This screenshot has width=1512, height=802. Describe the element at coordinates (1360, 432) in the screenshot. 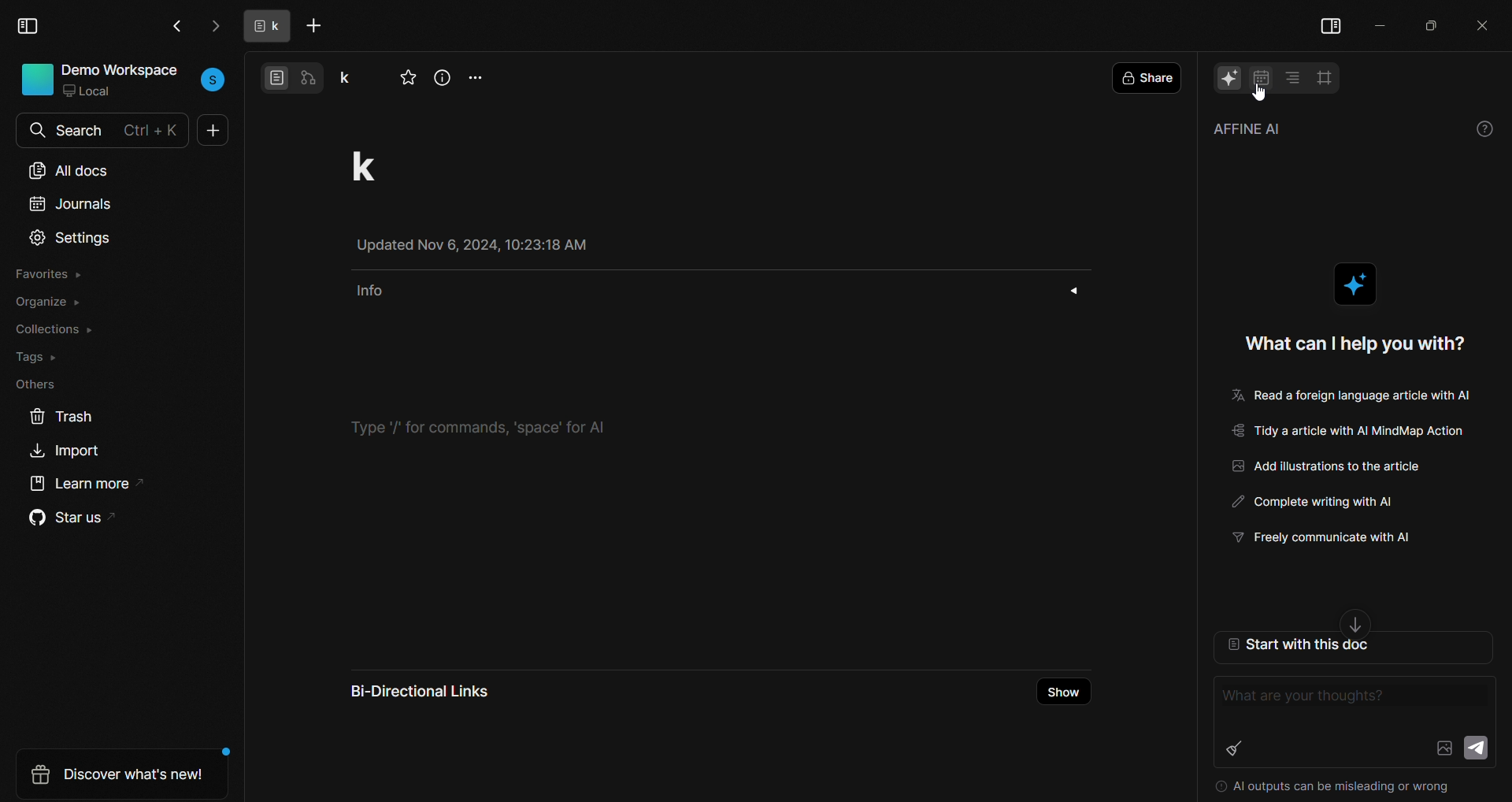

I see `tidy a article with  ai Mindmap Action` at that location.